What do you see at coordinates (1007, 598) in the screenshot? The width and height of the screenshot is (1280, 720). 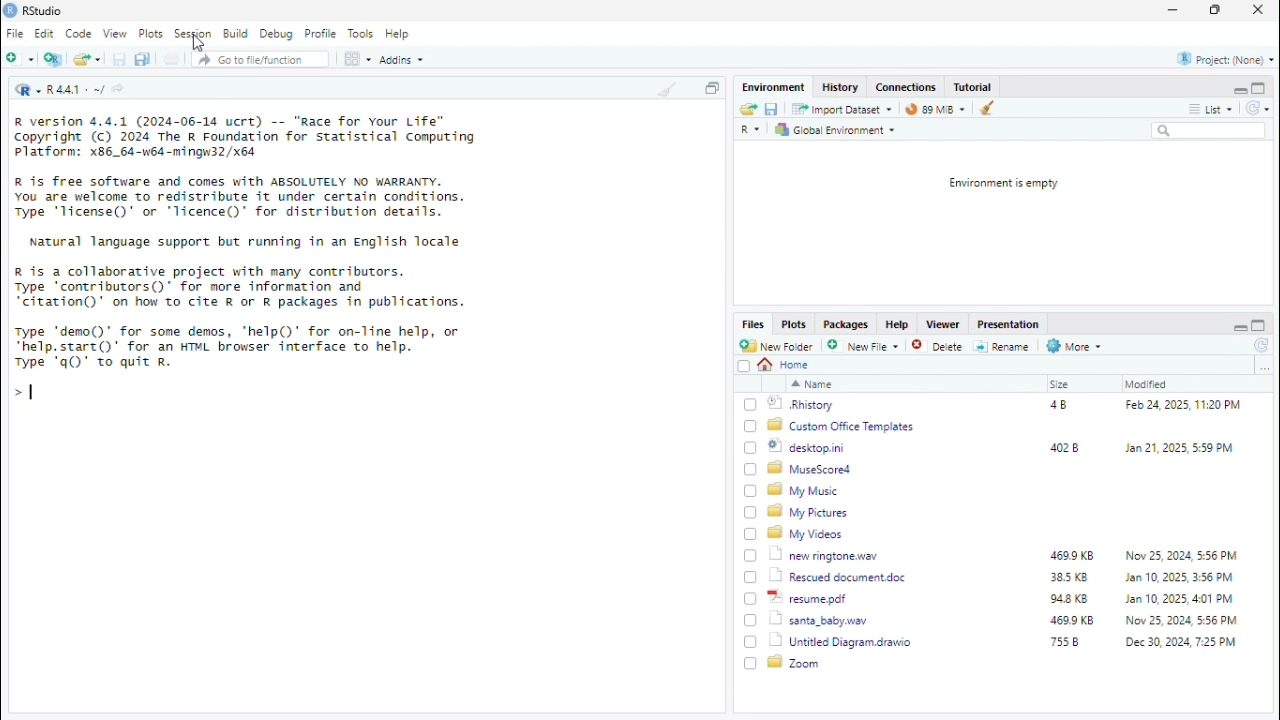 I see `resme.pdf 94.8KB Jan 10, 2025, 401 PM` at bounding box center [1007, 598].